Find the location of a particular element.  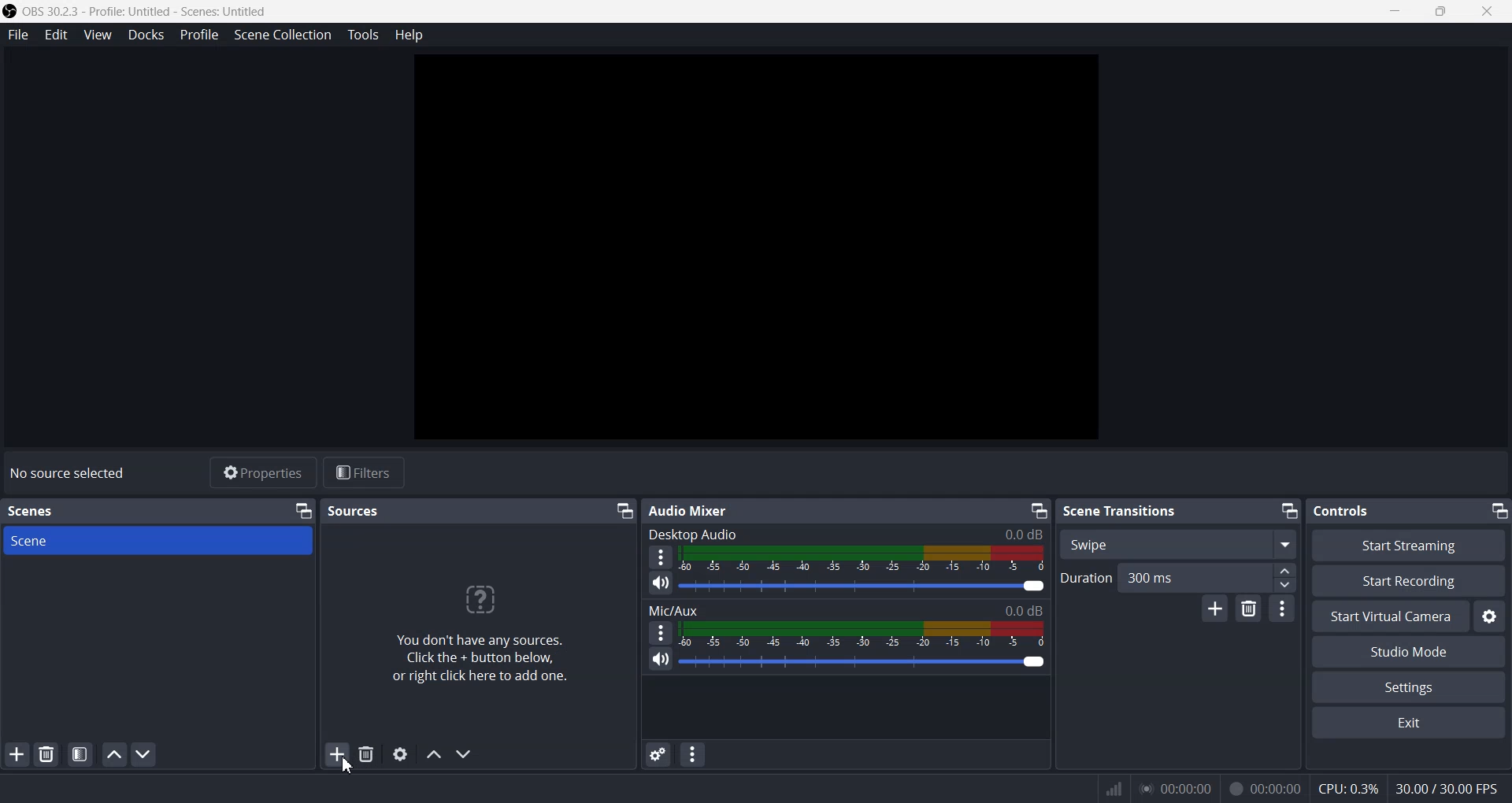

Add Sources is located at coordinates (338, 753).